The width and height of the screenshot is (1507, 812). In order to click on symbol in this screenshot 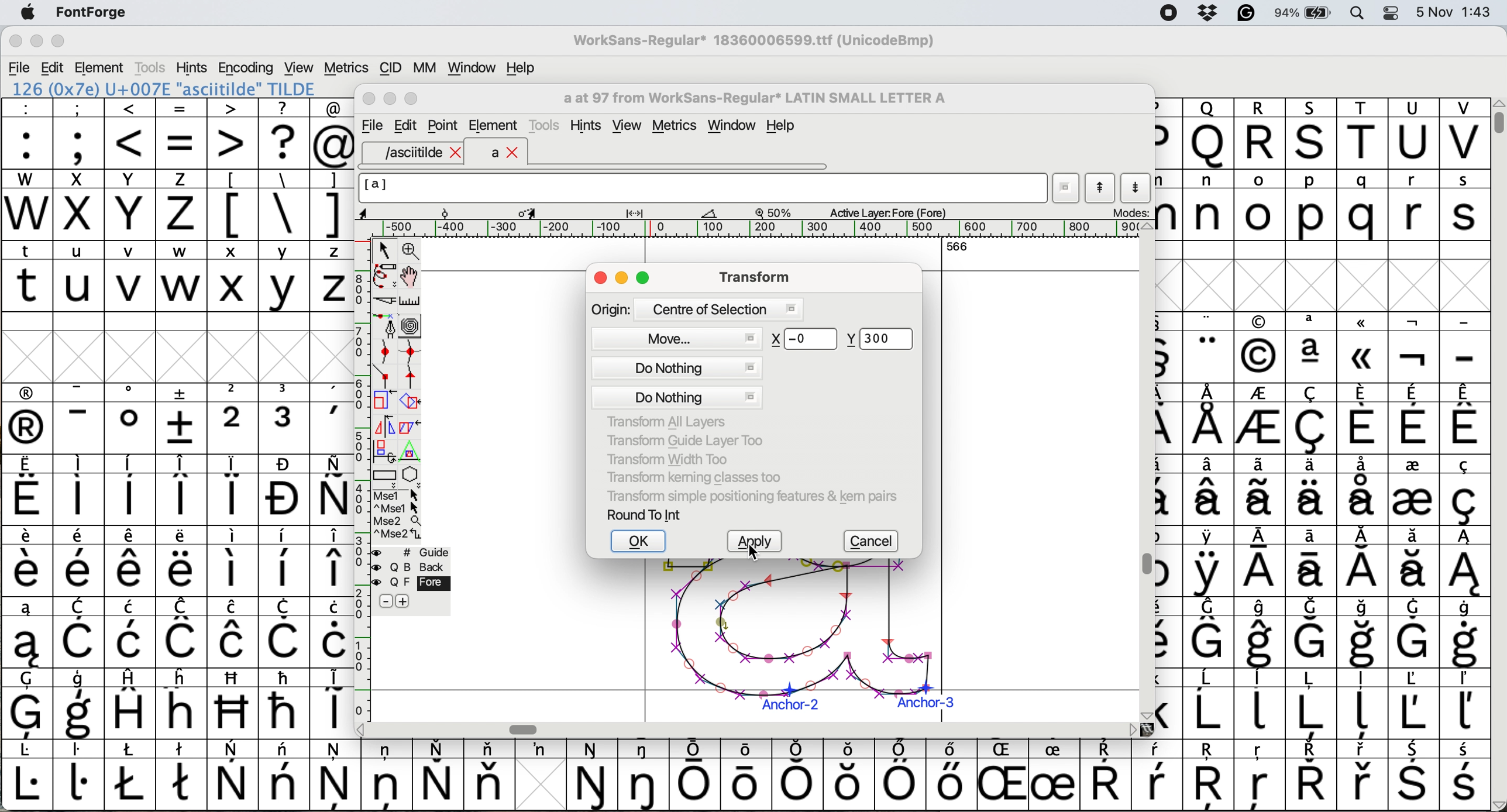, I will do `click(1364, 562)`.